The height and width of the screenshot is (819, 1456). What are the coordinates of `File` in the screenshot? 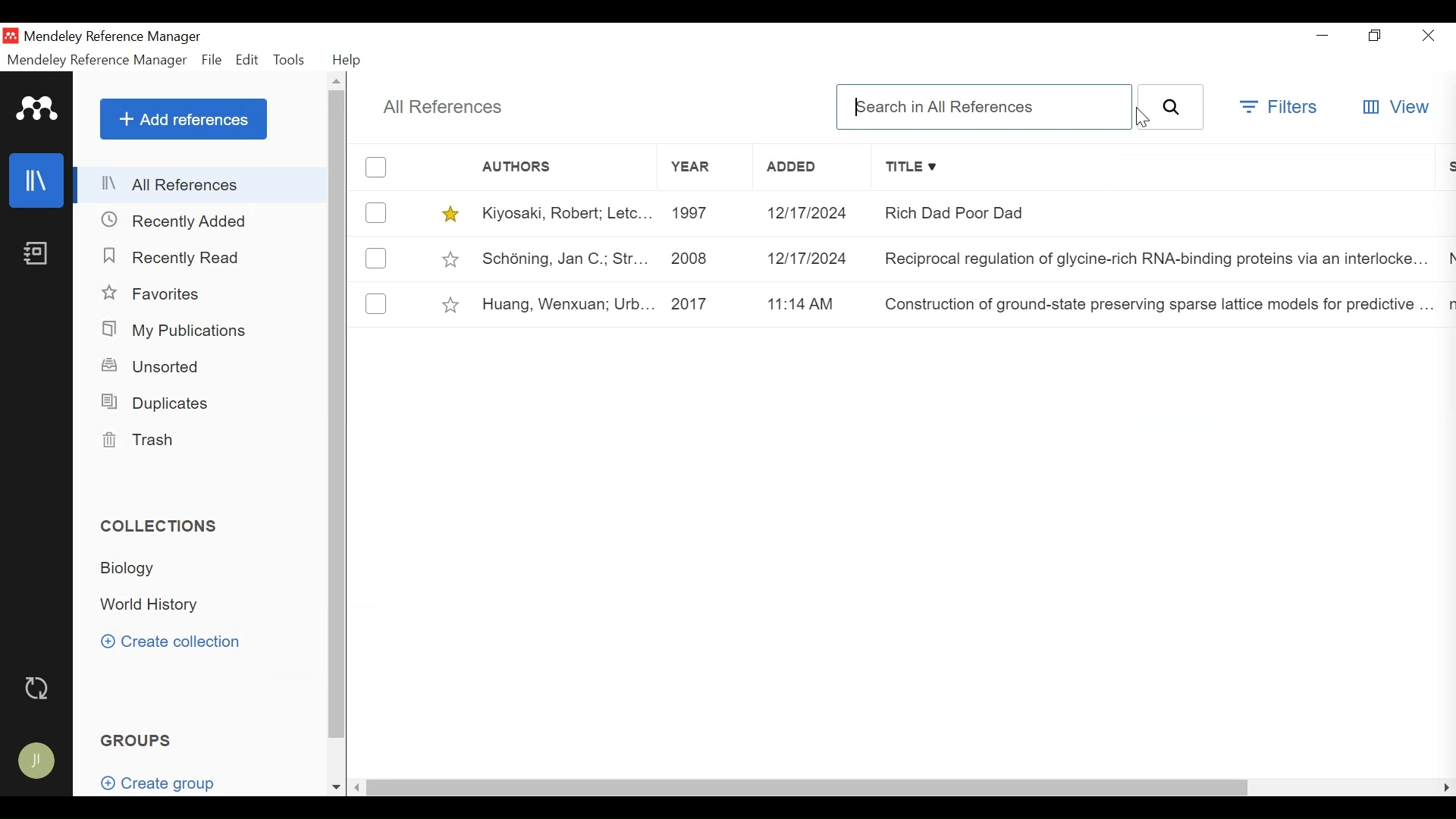 It's located at (210, 60).